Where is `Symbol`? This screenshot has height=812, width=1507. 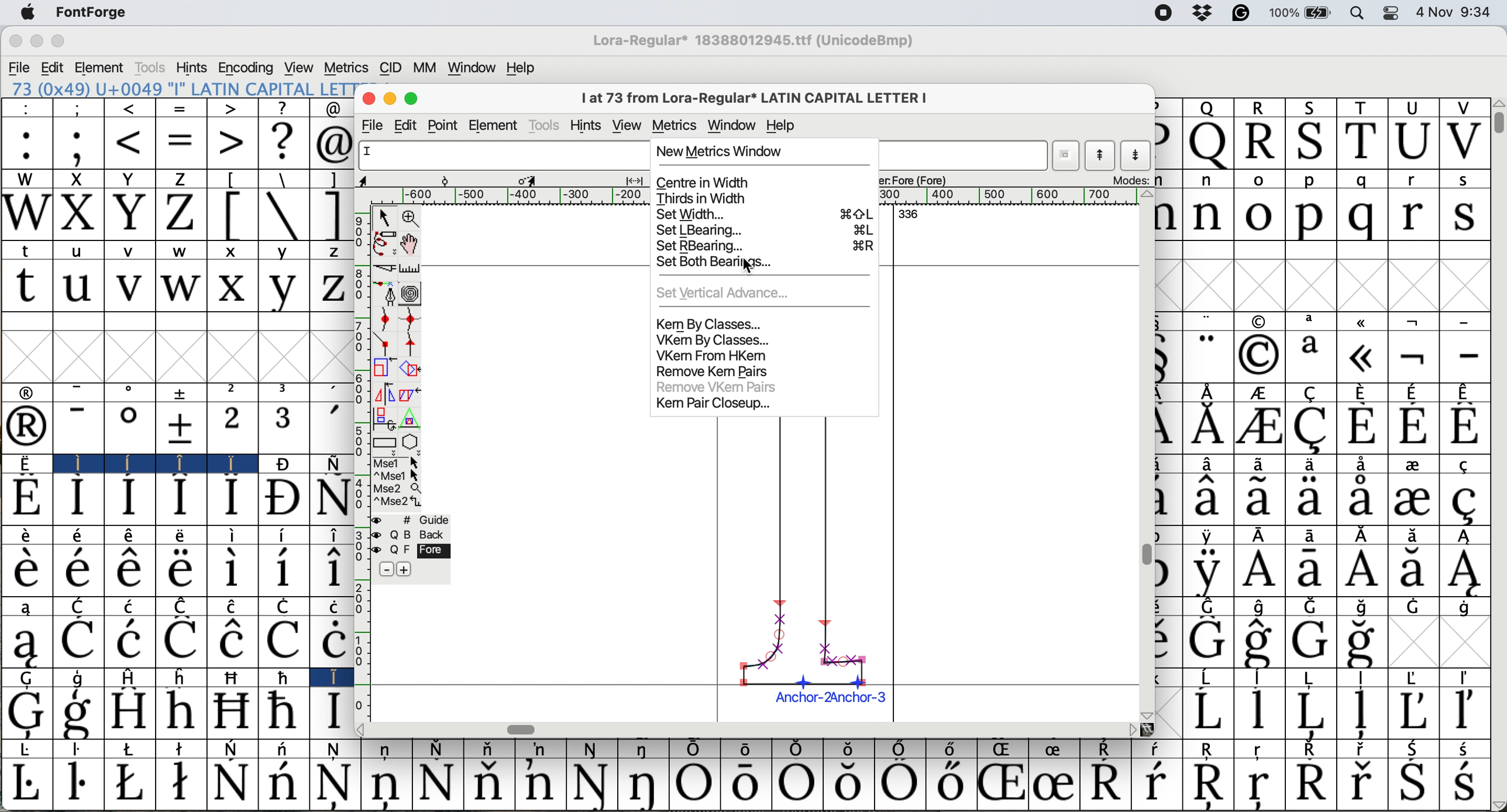 Symbol is located at coordinates (80, 536).